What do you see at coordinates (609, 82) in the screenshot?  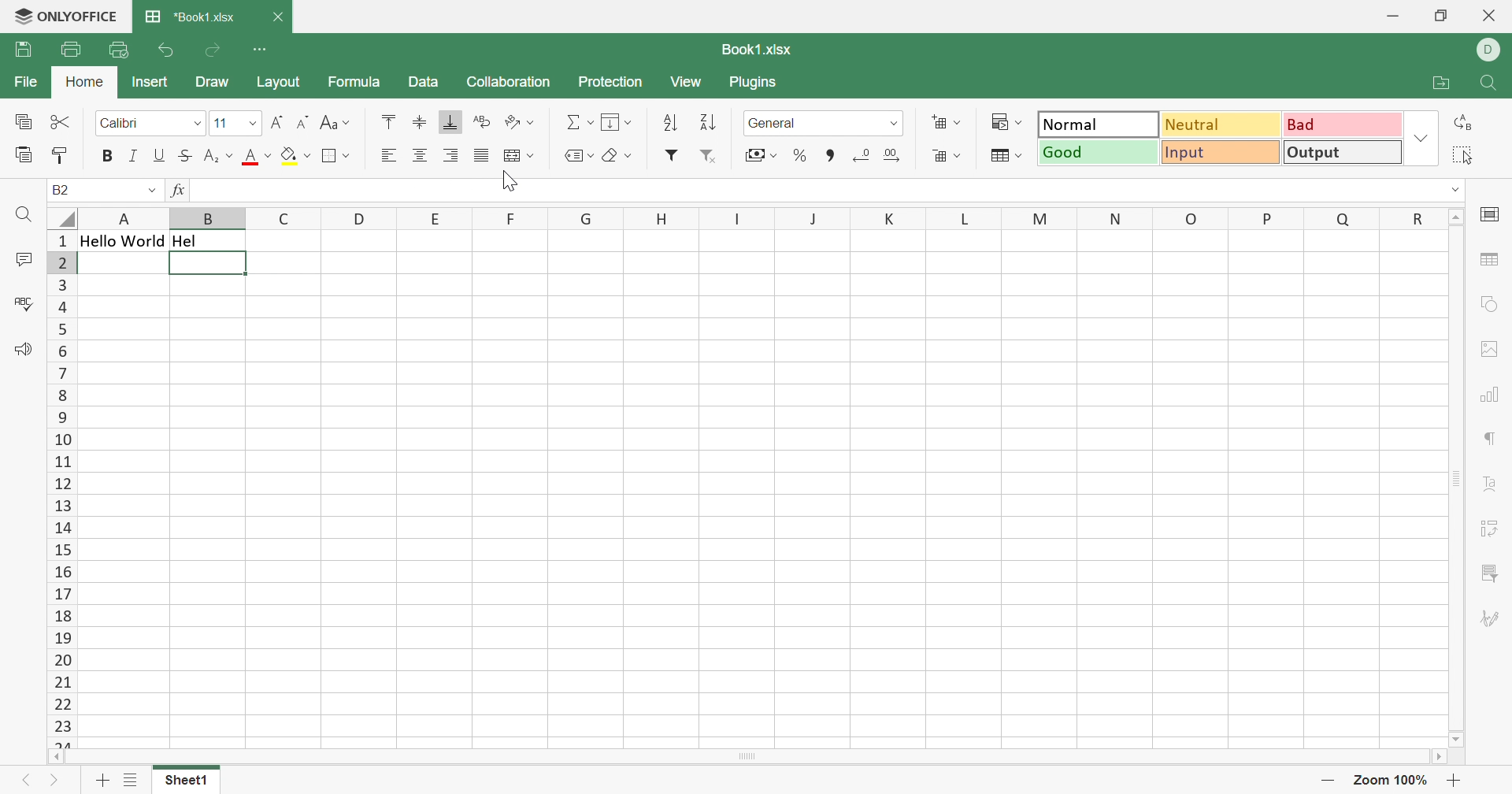 I see `Protection` at bounding box center [609, 82].